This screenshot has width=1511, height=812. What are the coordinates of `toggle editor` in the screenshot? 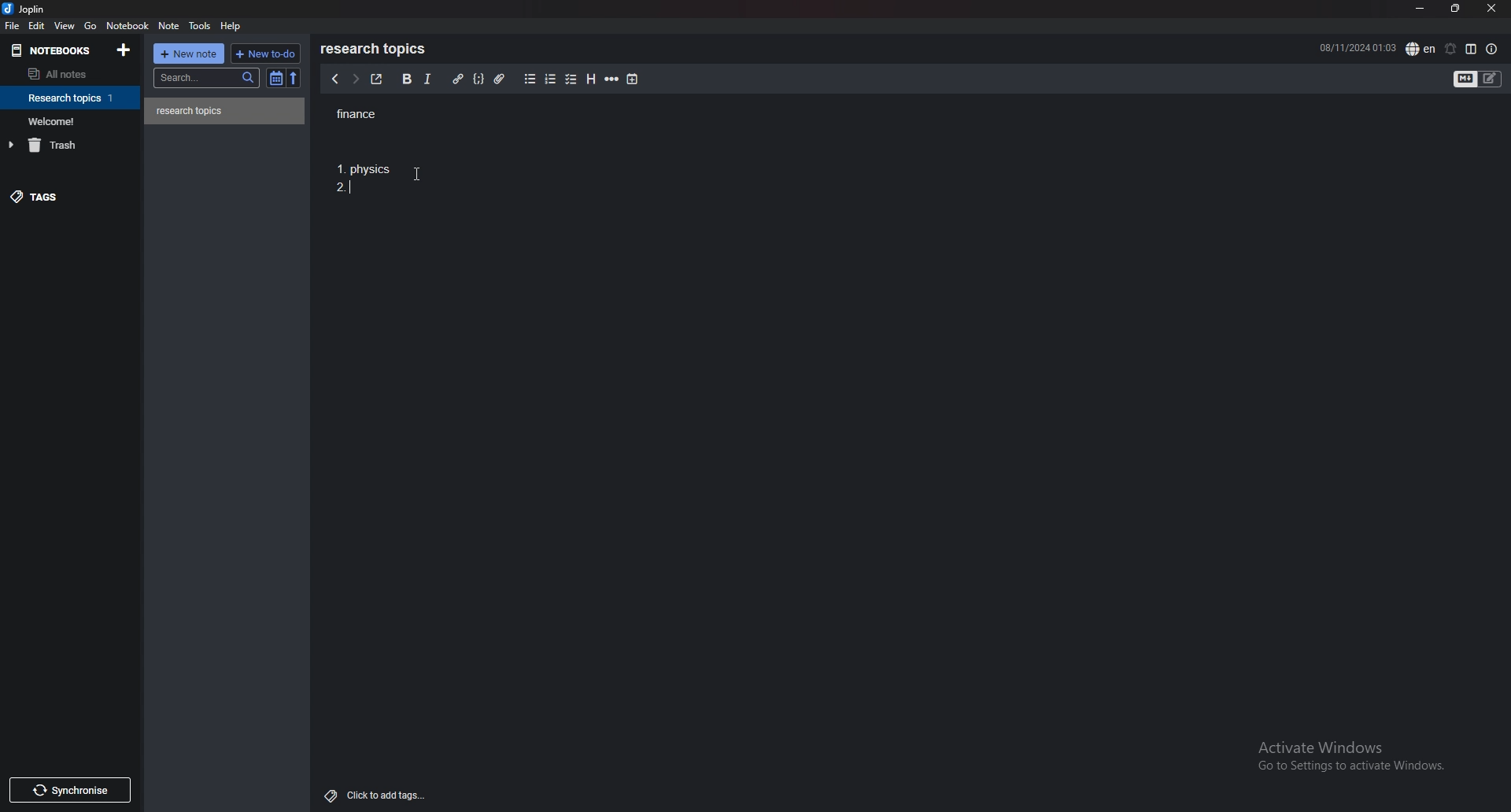 It's located at (1479, 79).